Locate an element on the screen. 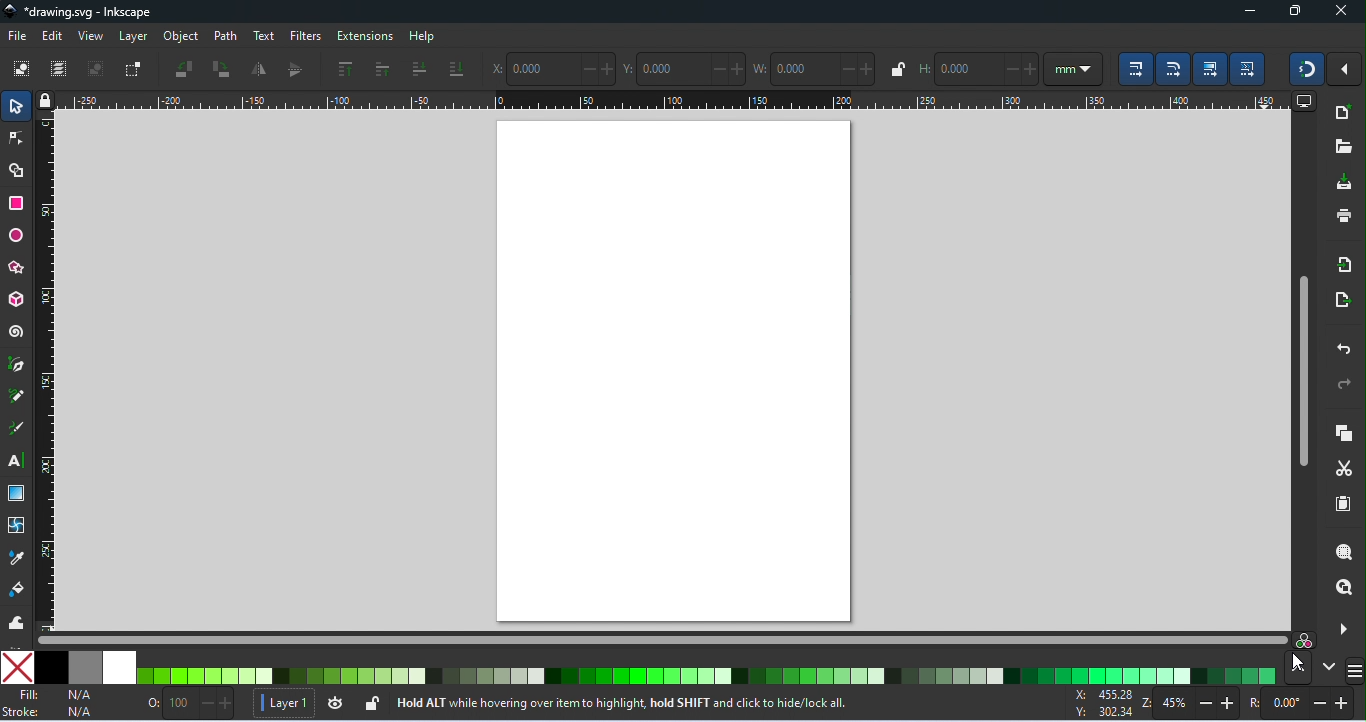 This screenshot has height=722, width=1366. export is located at coordinates (1340, 298).